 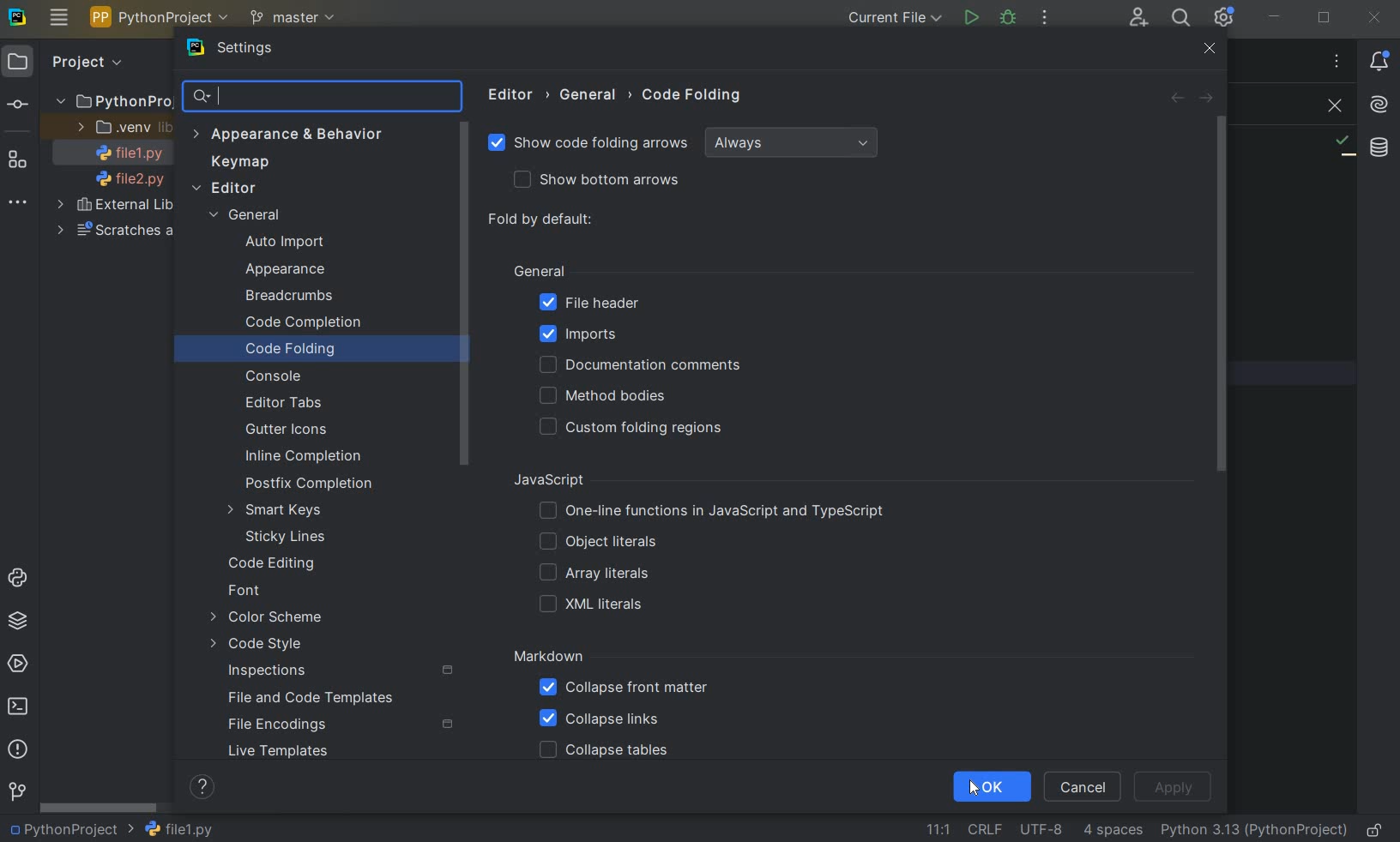 I want to click on IMPORTS, so click(x=604, y=334).